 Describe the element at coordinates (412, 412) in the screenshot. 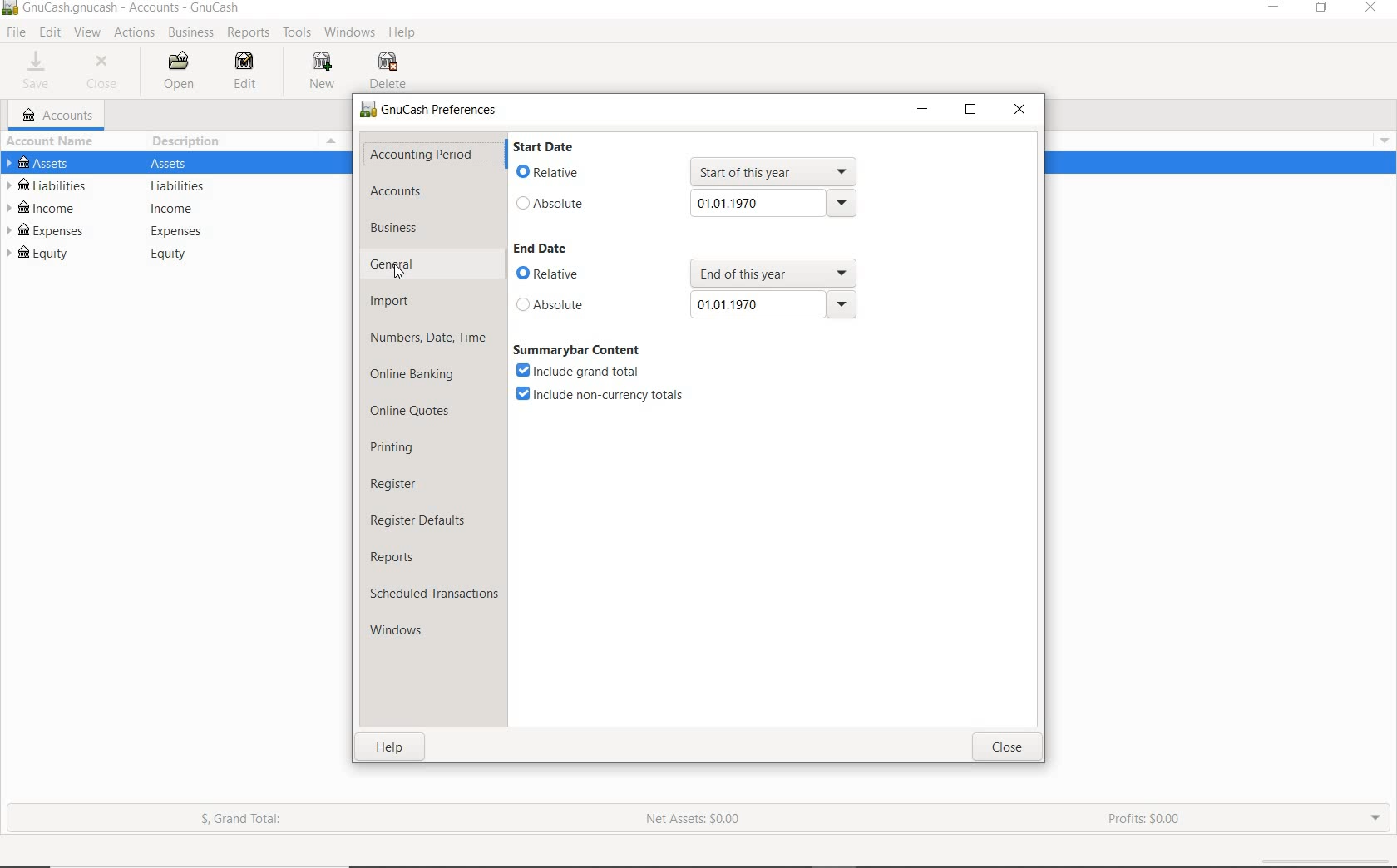

I see `ONLINE QUOTES` at that location.